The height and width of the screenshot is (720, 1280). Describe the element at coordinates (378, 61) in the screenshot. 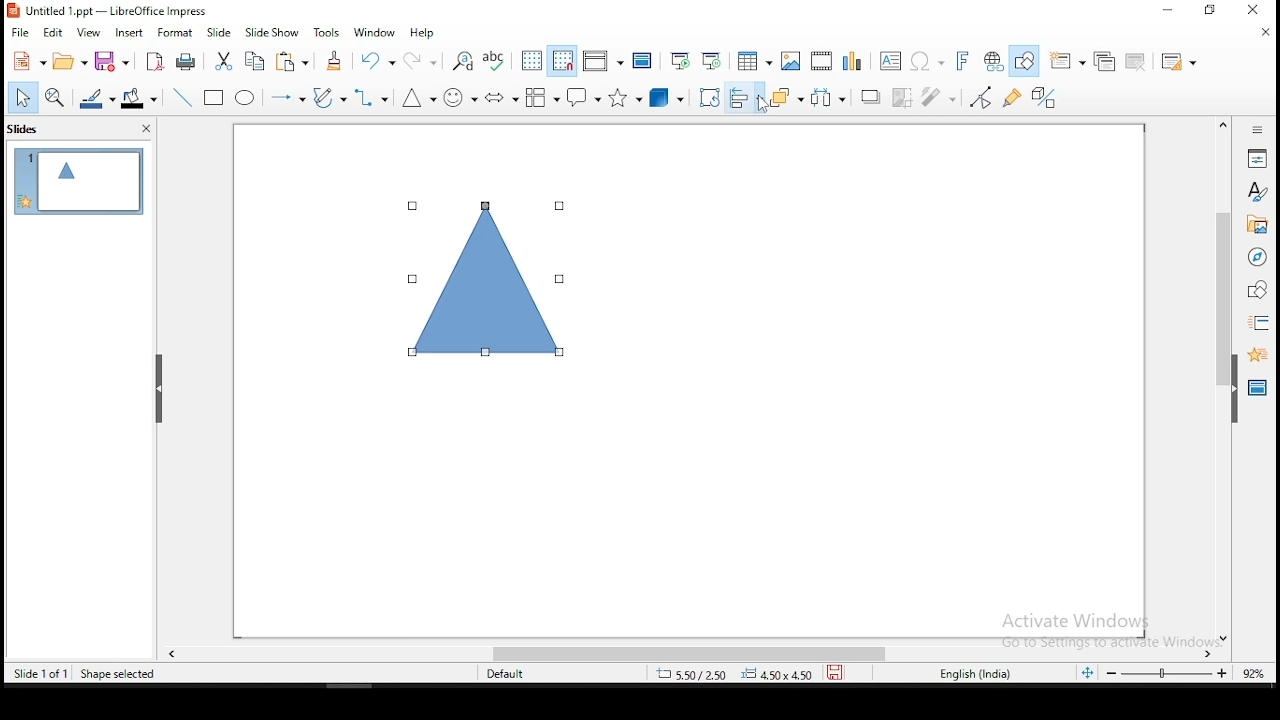

I see `undo` at that location.